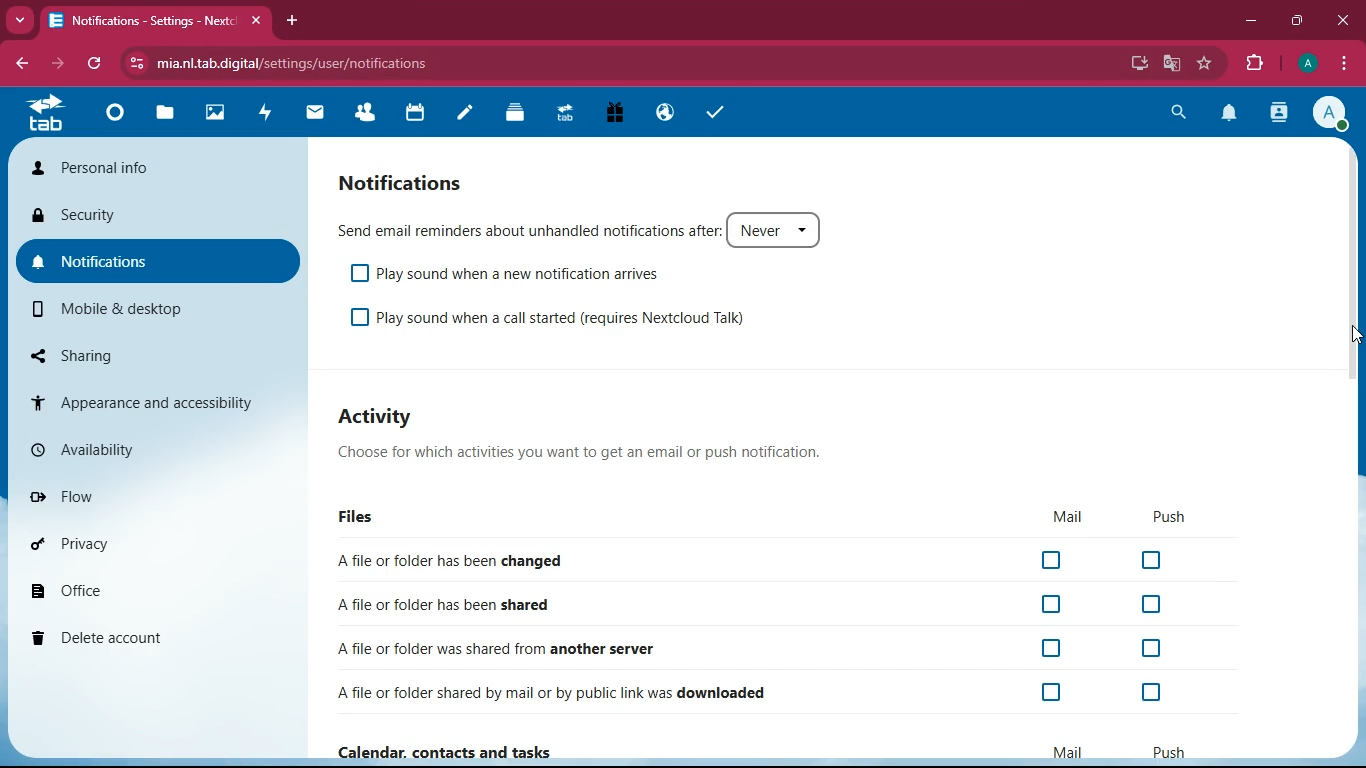  I want to click on home, so click(44, 112).